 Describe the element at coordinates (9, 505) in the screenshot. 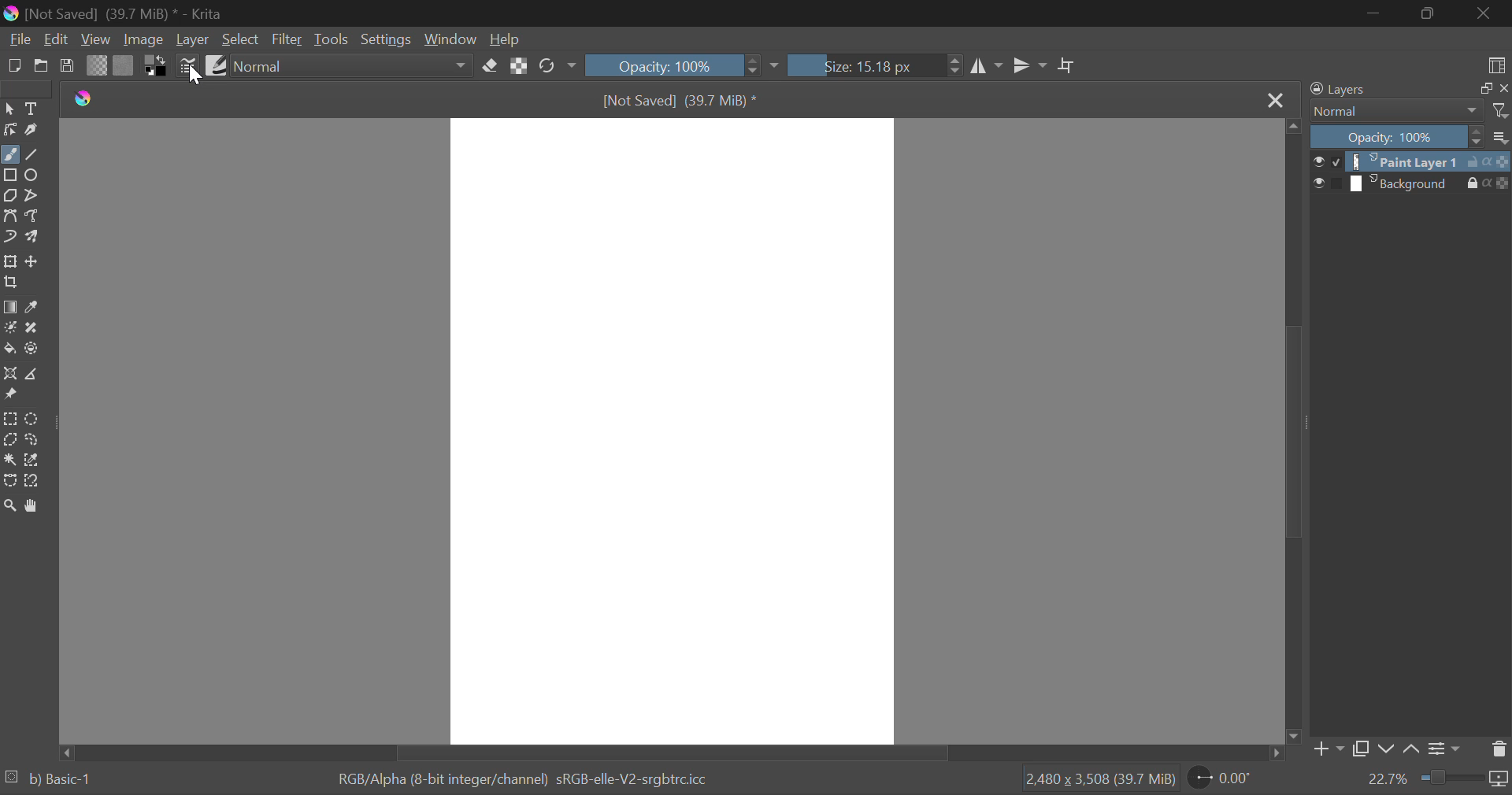

I see `Zoom` at that location.